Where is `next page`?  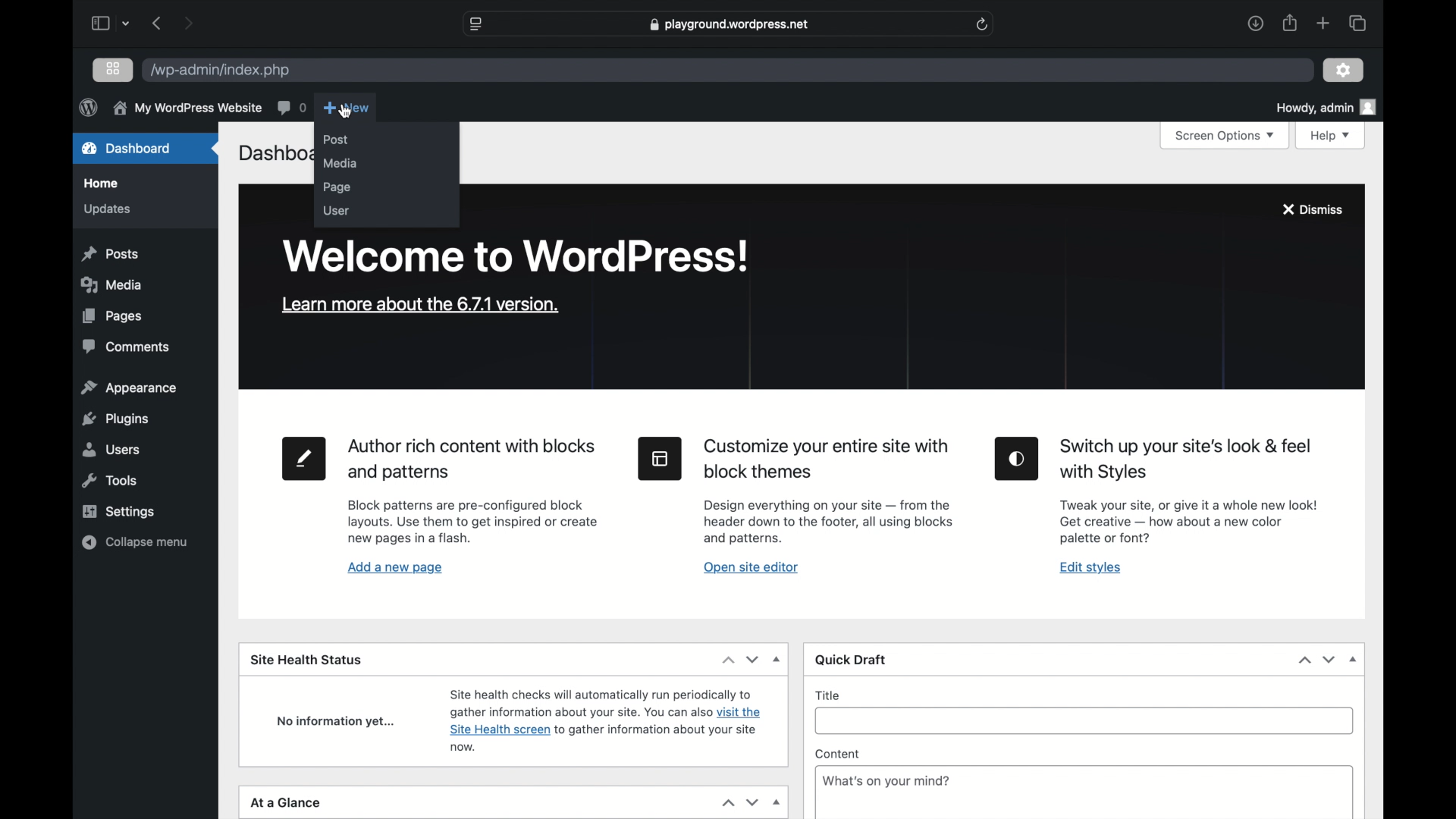
next page is located at coordinates (188, 23).